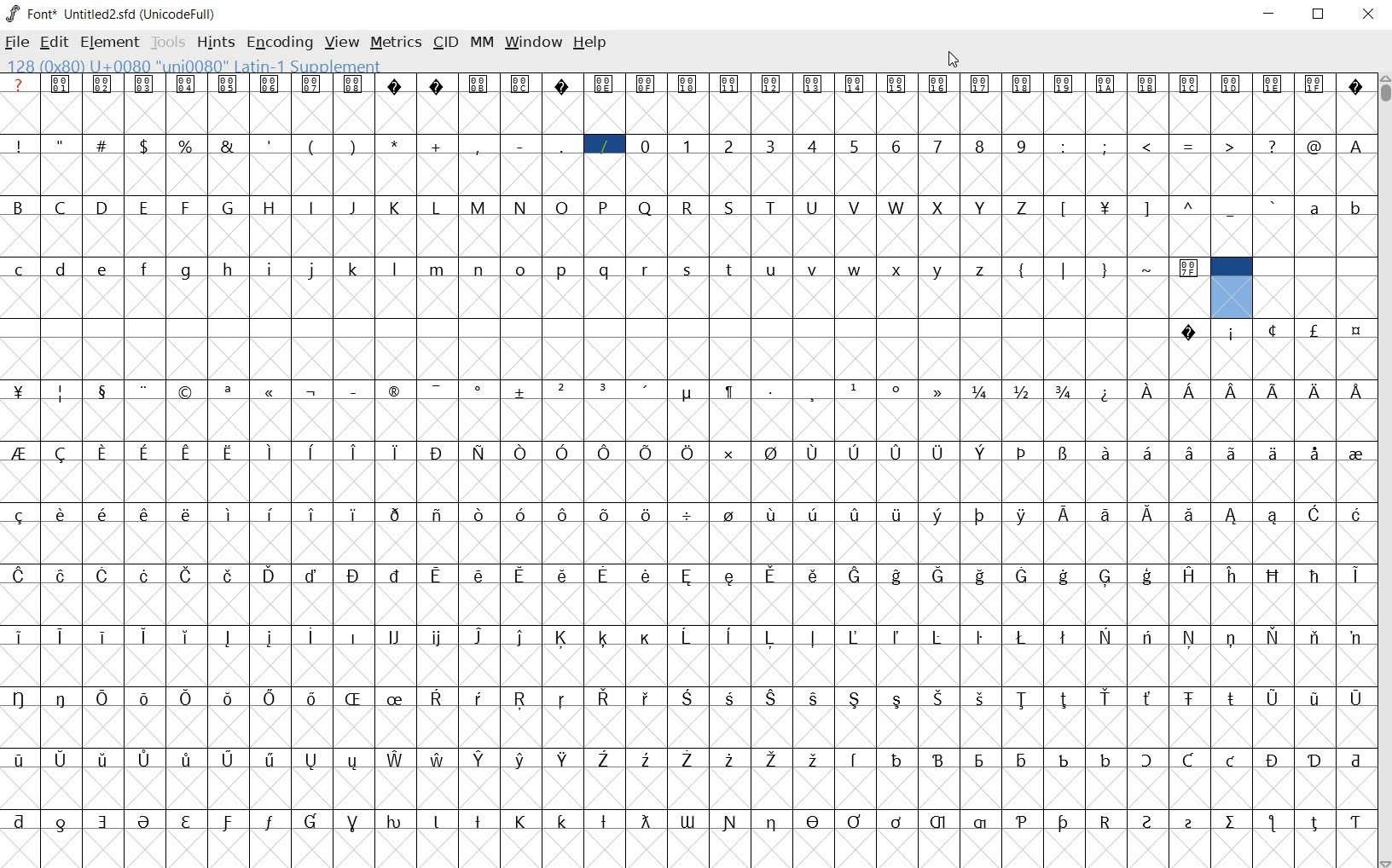  I want to click on Symbol, so click(937, 819).